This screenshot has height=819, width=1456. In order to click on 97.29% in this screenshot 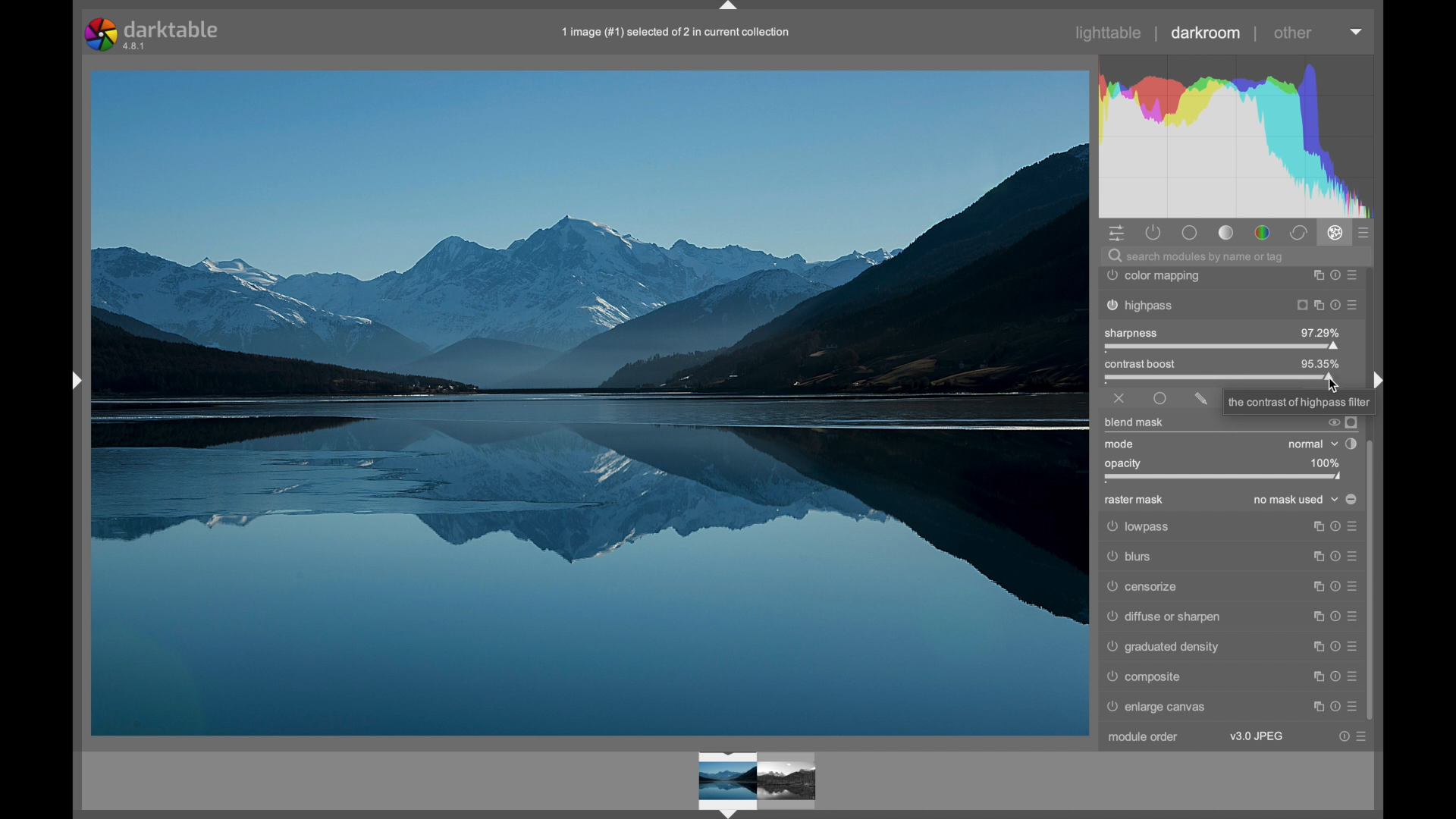, I will do `click(1319, 332)`.